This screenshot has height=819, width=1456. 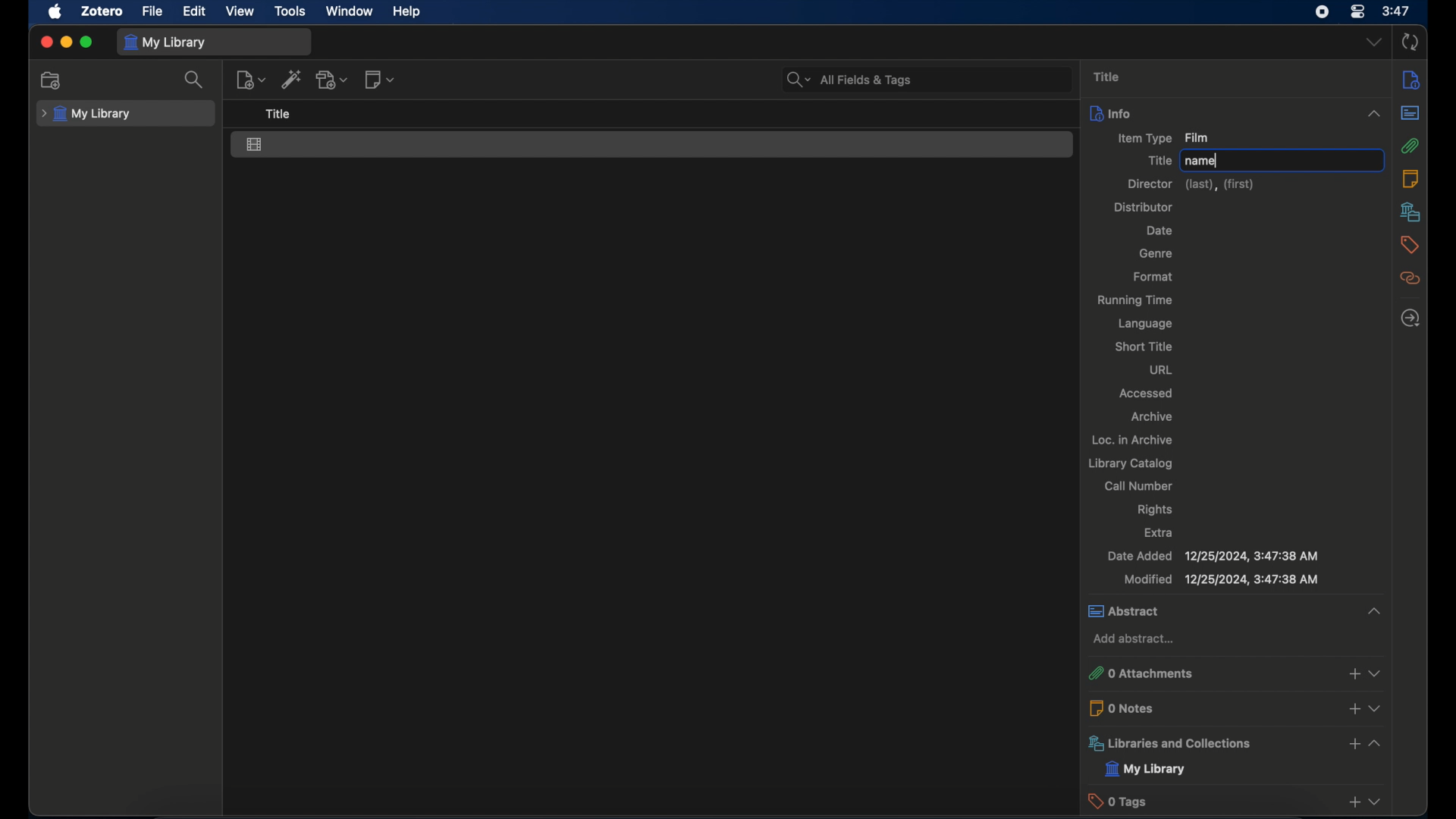 I want to click on my library, so click(x=164, y=43).